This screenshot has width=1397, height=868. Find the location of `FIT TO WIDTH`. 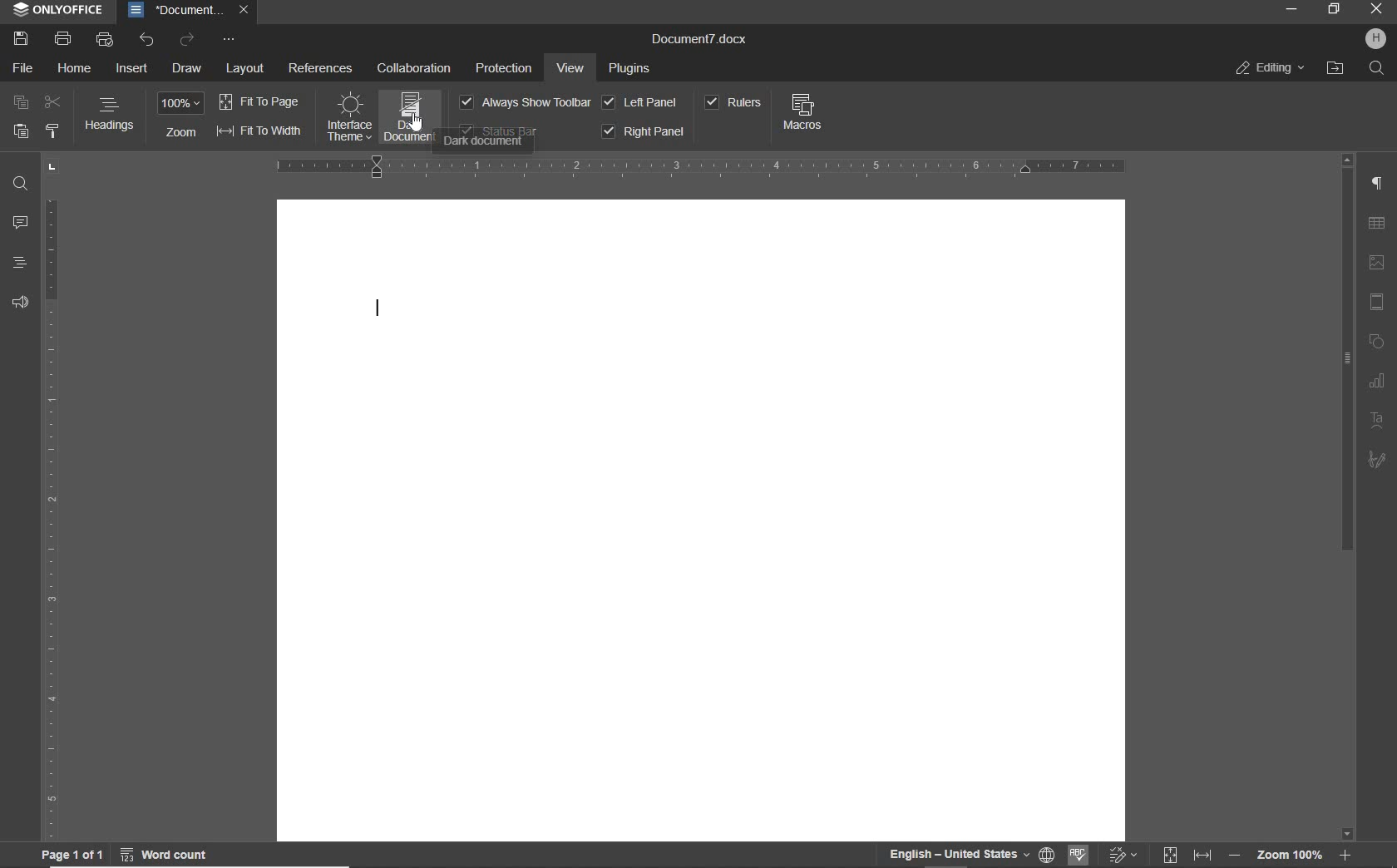

FIT TO WIDTH is located at coordinates (1203, 853).